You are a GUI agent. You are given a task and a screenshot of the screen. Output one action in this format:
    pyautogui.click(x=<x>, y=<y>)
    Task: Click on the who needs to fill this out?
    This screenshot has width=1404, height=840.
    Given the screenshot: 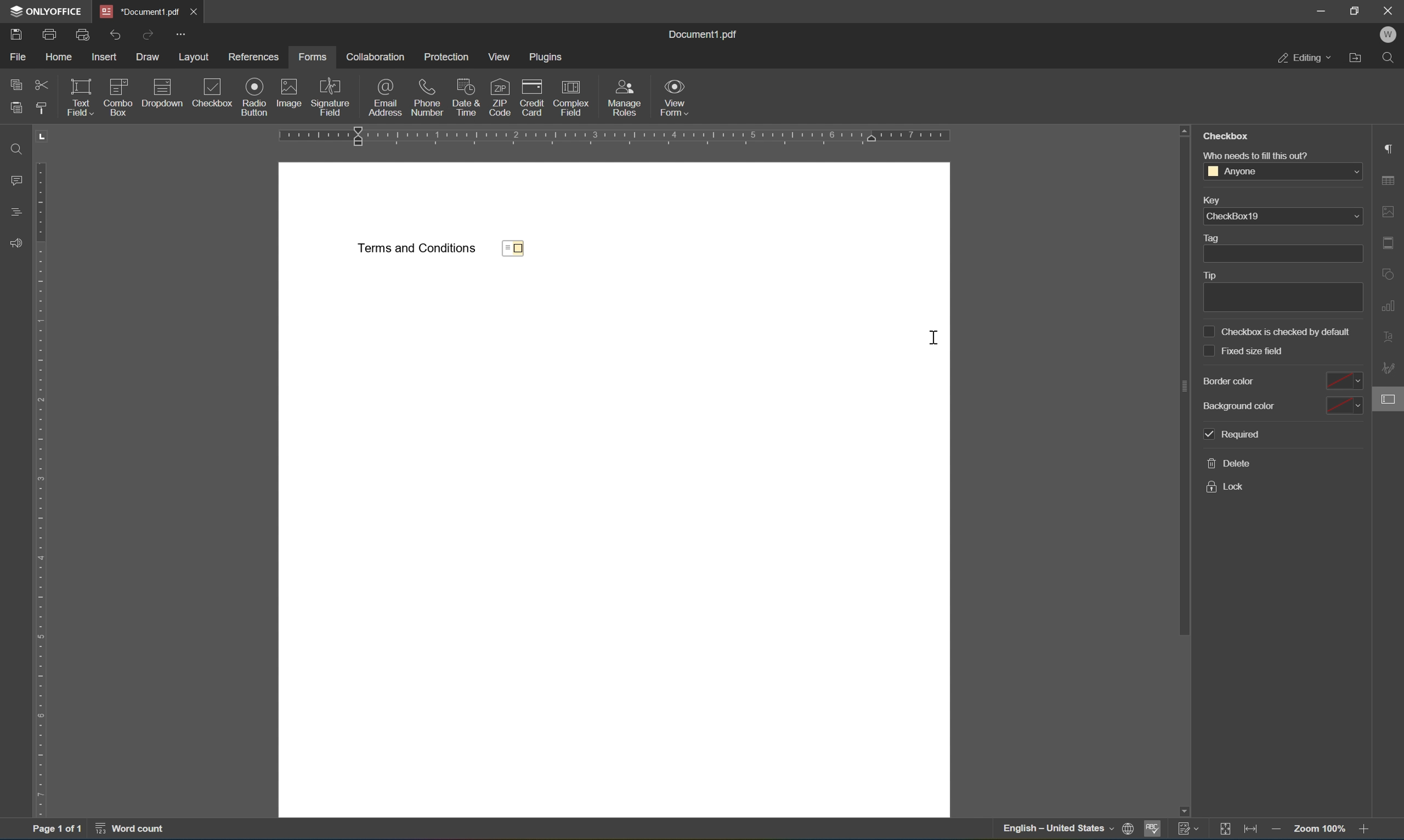 What is the action you would take?
    pyautogui.click(x=1257, y=155)
    